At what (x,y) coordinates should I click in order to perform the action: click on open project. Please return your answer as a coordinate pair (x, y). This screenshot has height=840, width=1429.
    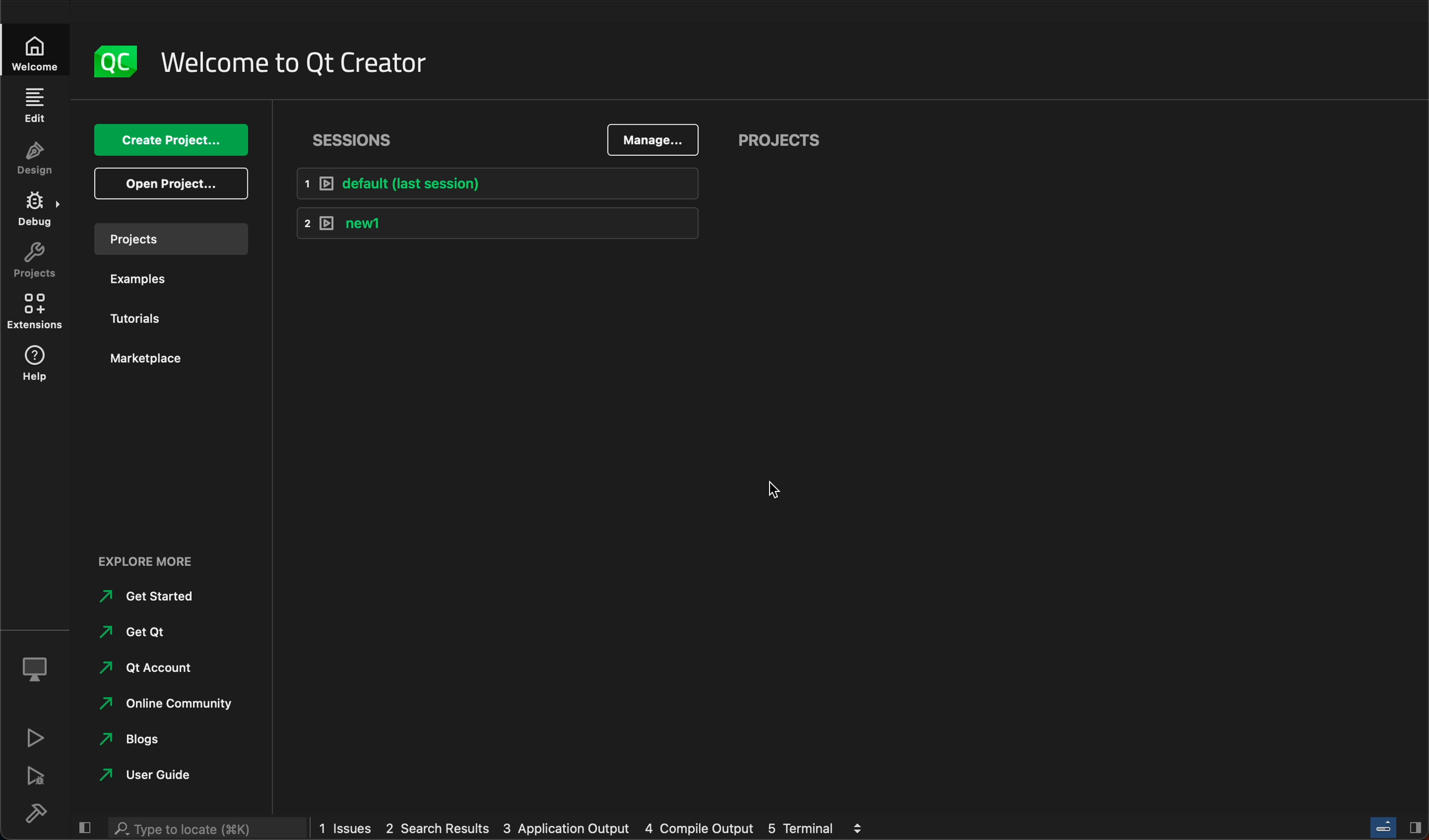
    Looking at the image, I should click on (174, 183).